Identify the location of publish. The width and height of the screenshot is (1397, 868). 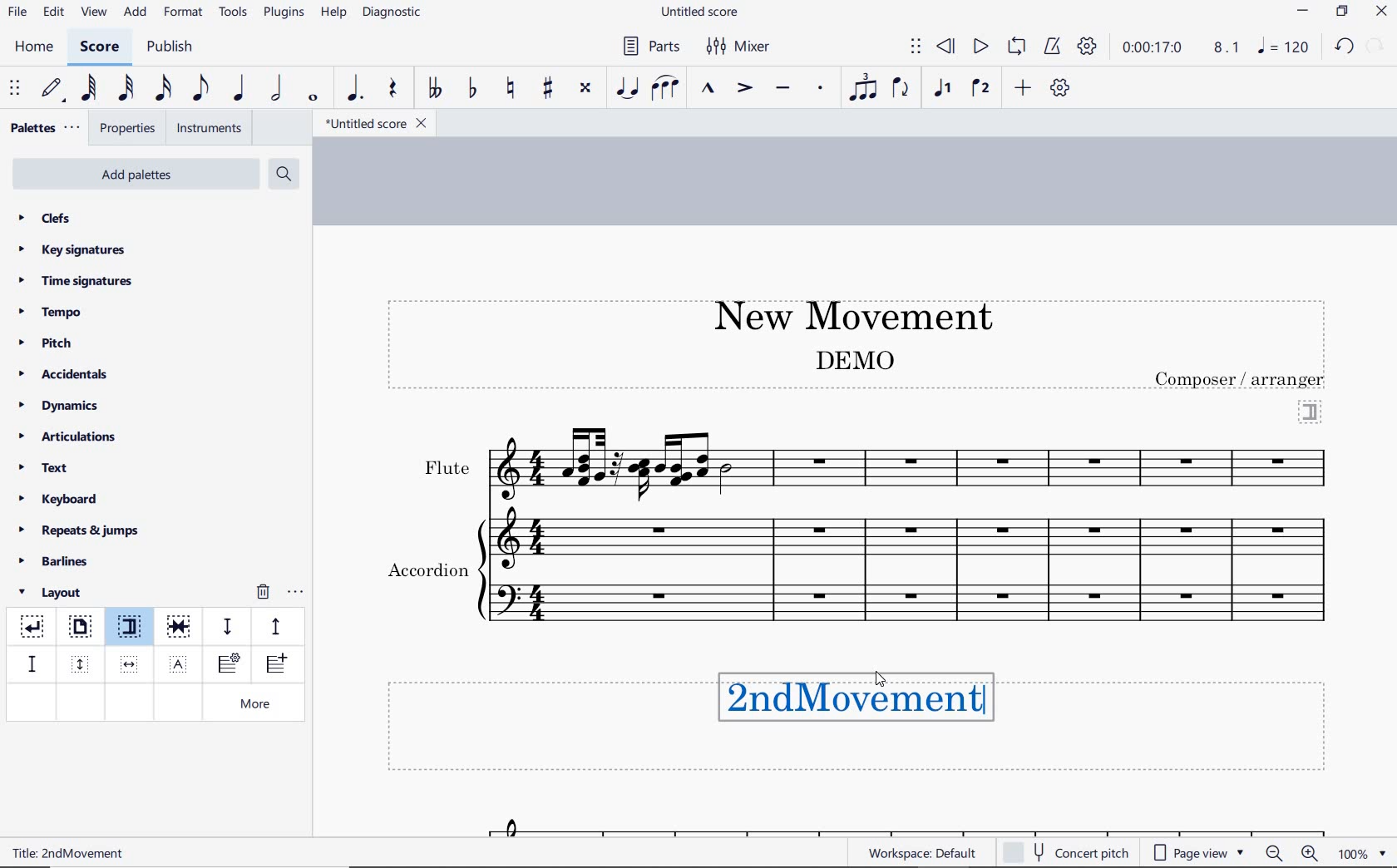
(168, 48).